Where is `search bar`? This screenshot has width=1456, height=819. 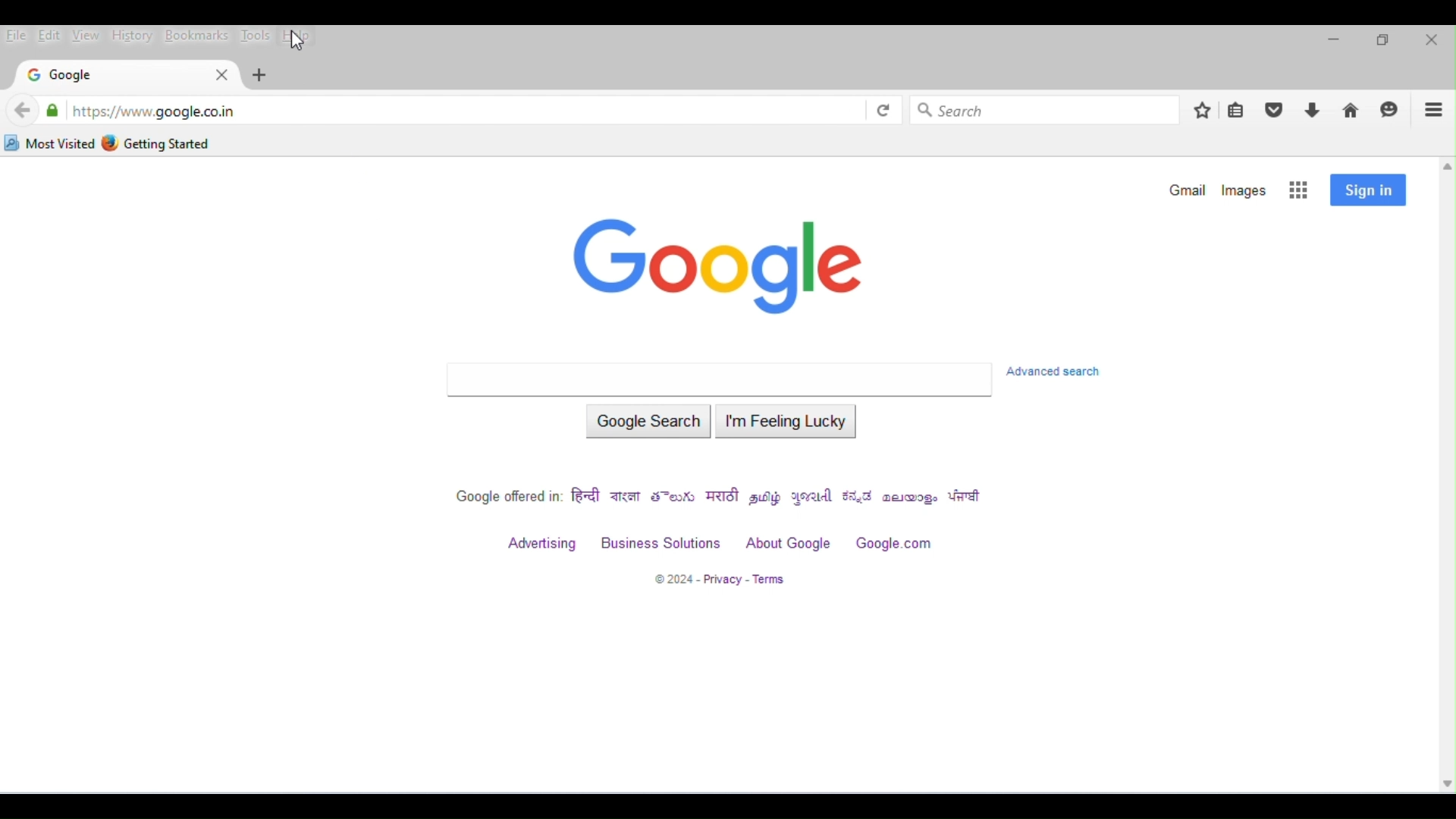
search bar is located at coordinates (718, 380).